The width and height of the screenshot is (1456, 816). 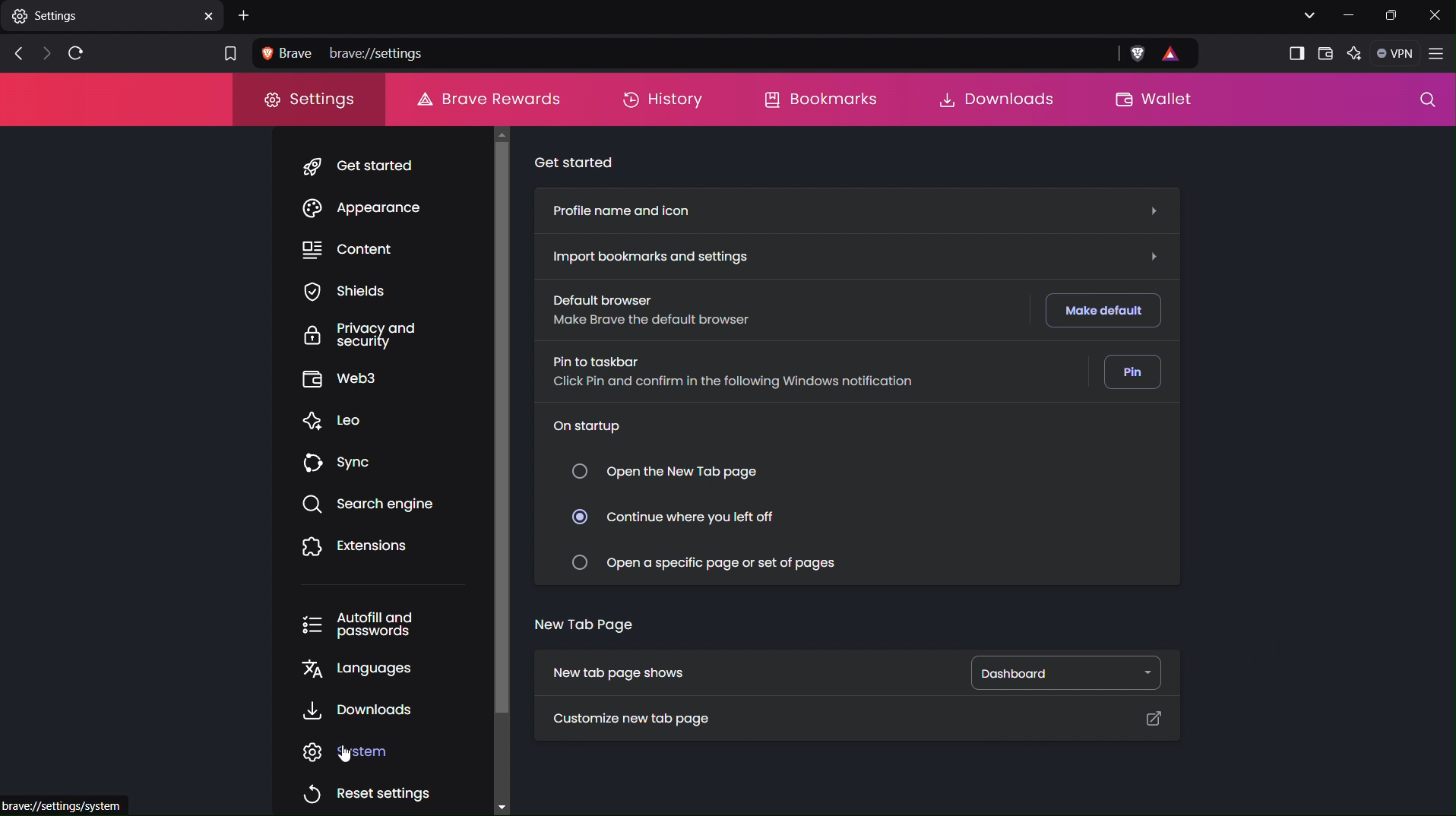 What do you see at coordinates (1353, 55) in the screenshot?
I see `Leo AI` at bounding box center [1353, 55].